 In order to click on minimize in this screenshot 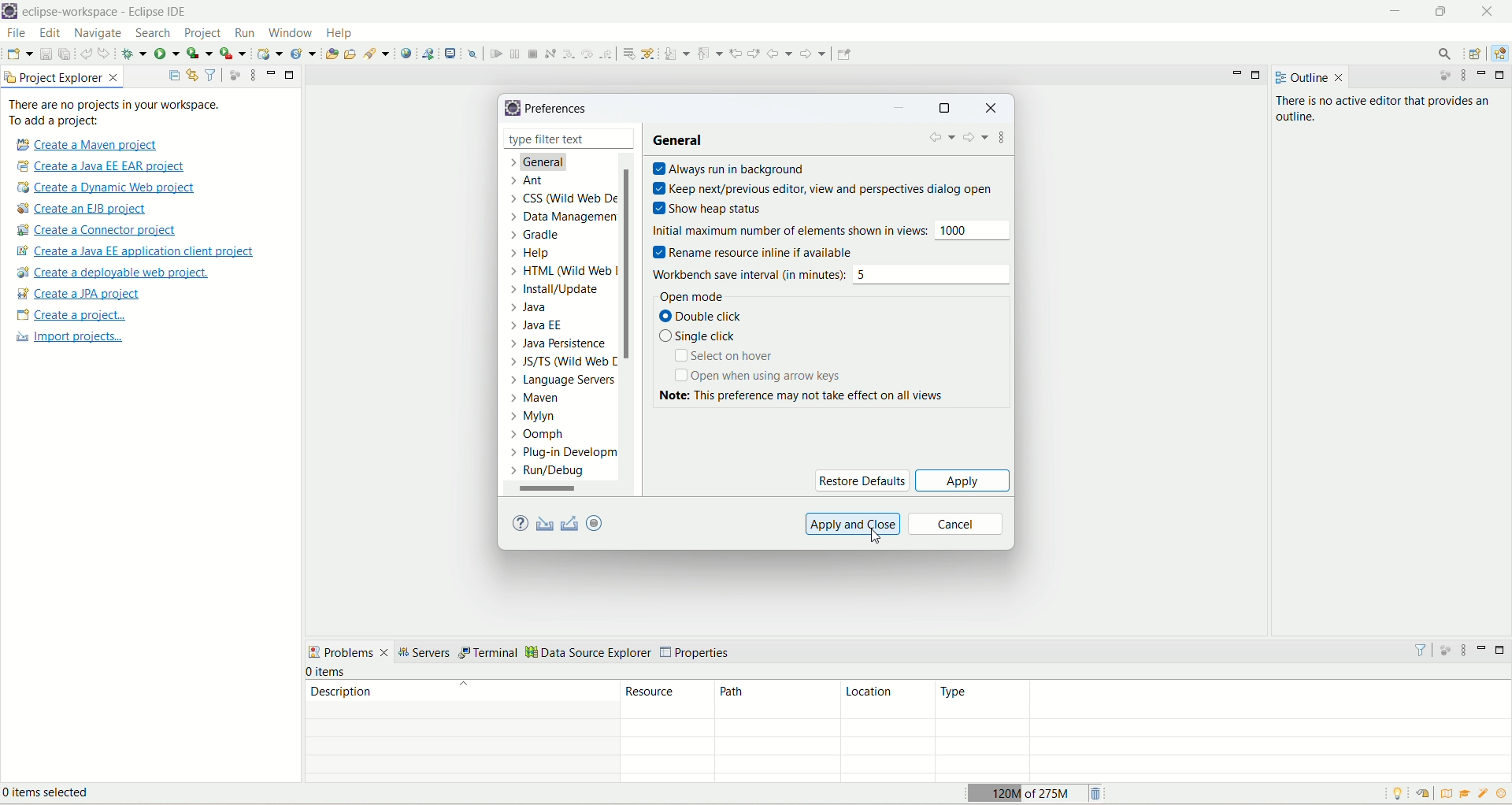, I will do `click(1237, 77)`.